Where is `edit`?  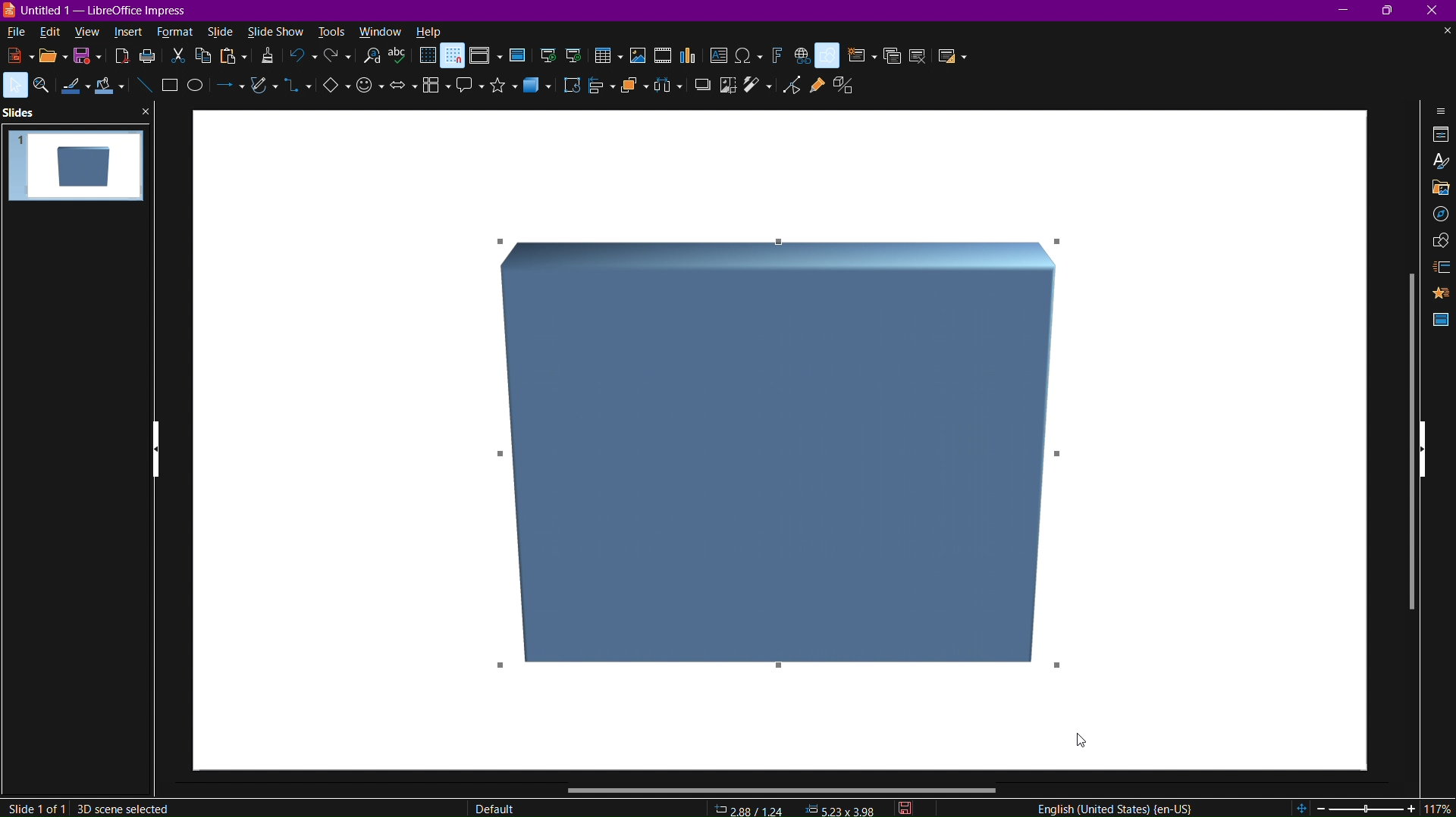
edit is located at coordinates (49, 32).